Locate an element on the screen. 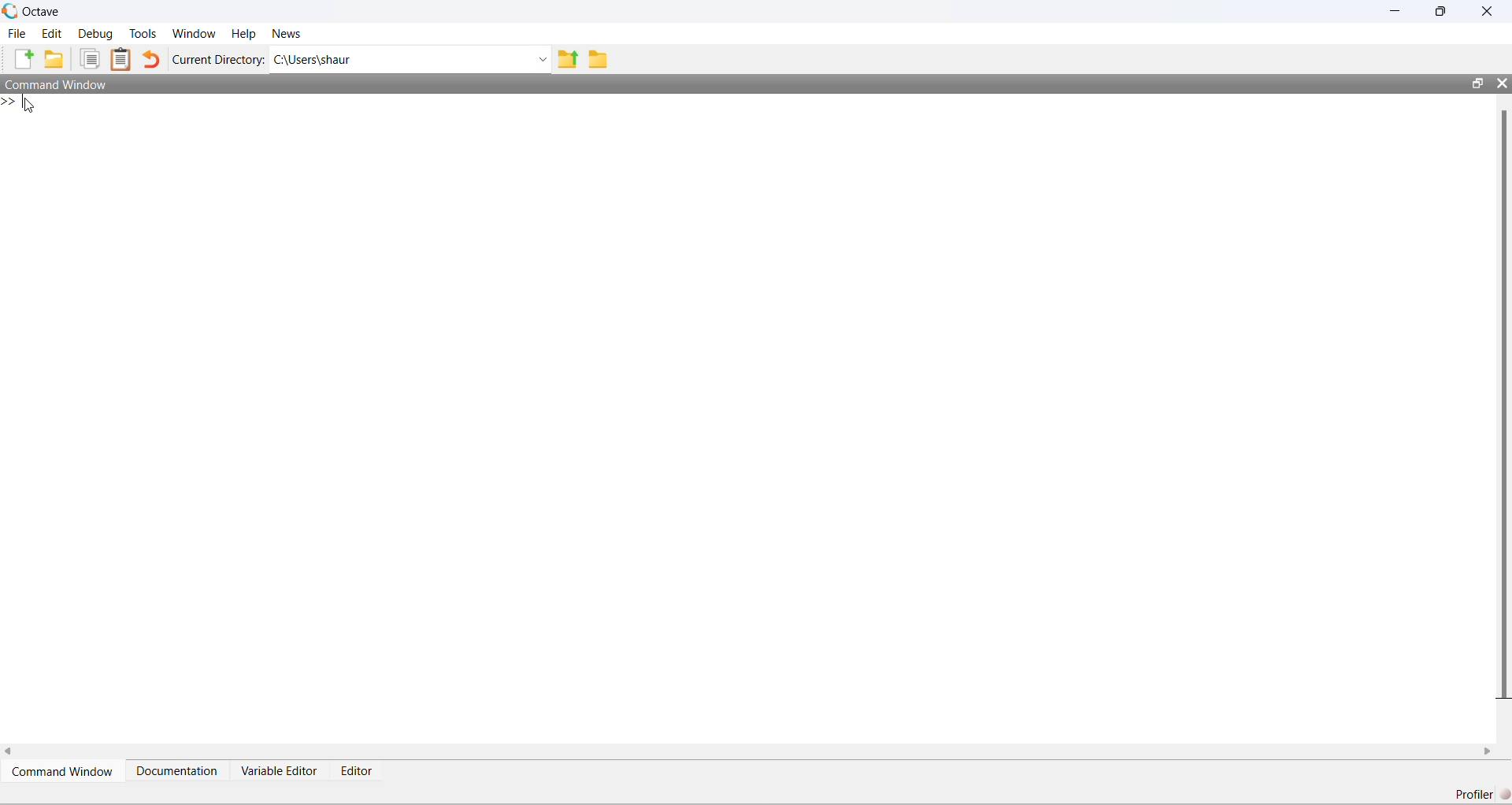  Open an existing file in editor is located at coordinates (54, 59).